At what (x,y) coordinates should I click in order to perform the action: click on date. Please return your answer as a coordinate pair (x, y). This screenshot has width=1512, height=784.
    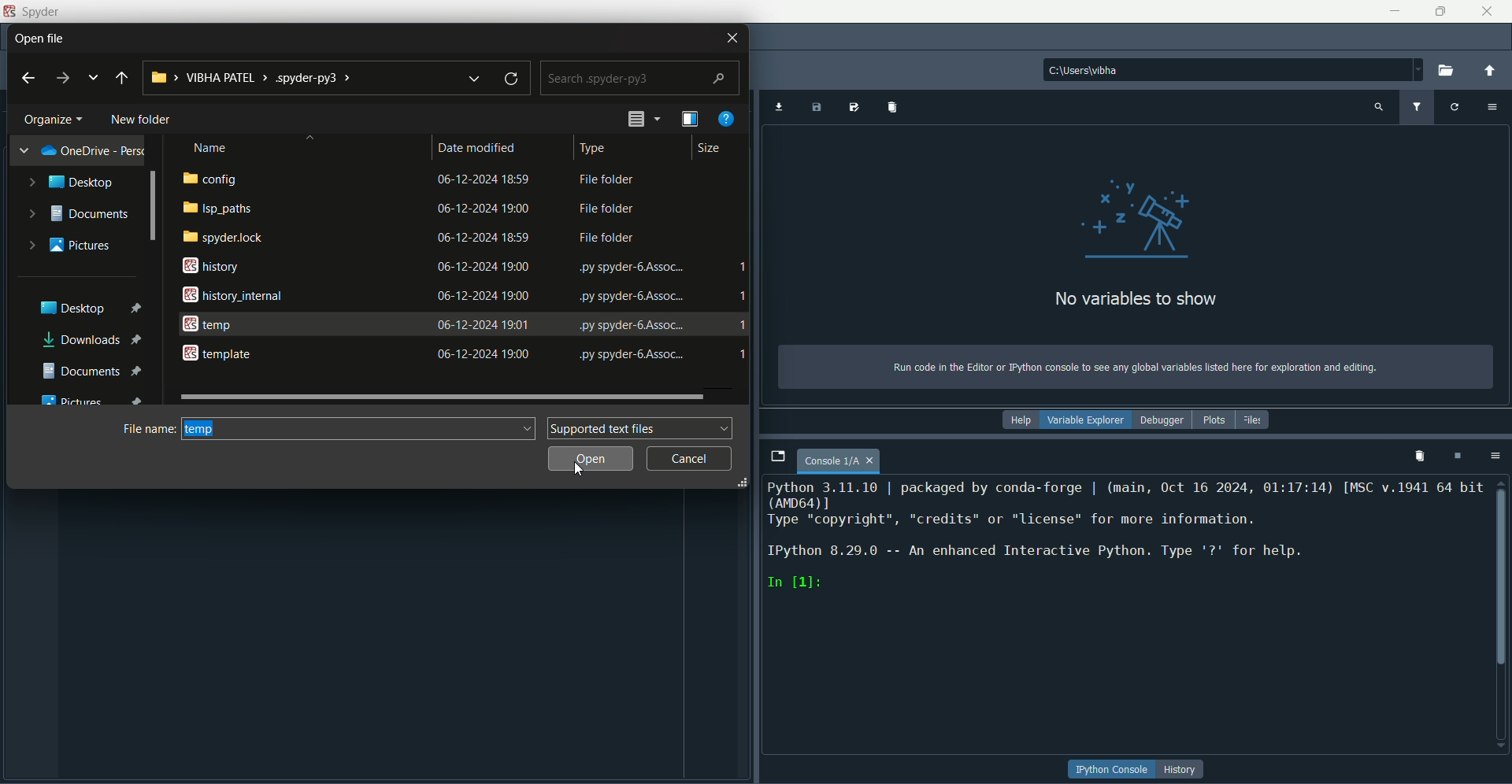
    Looking at the image, I should click on (481, 209).